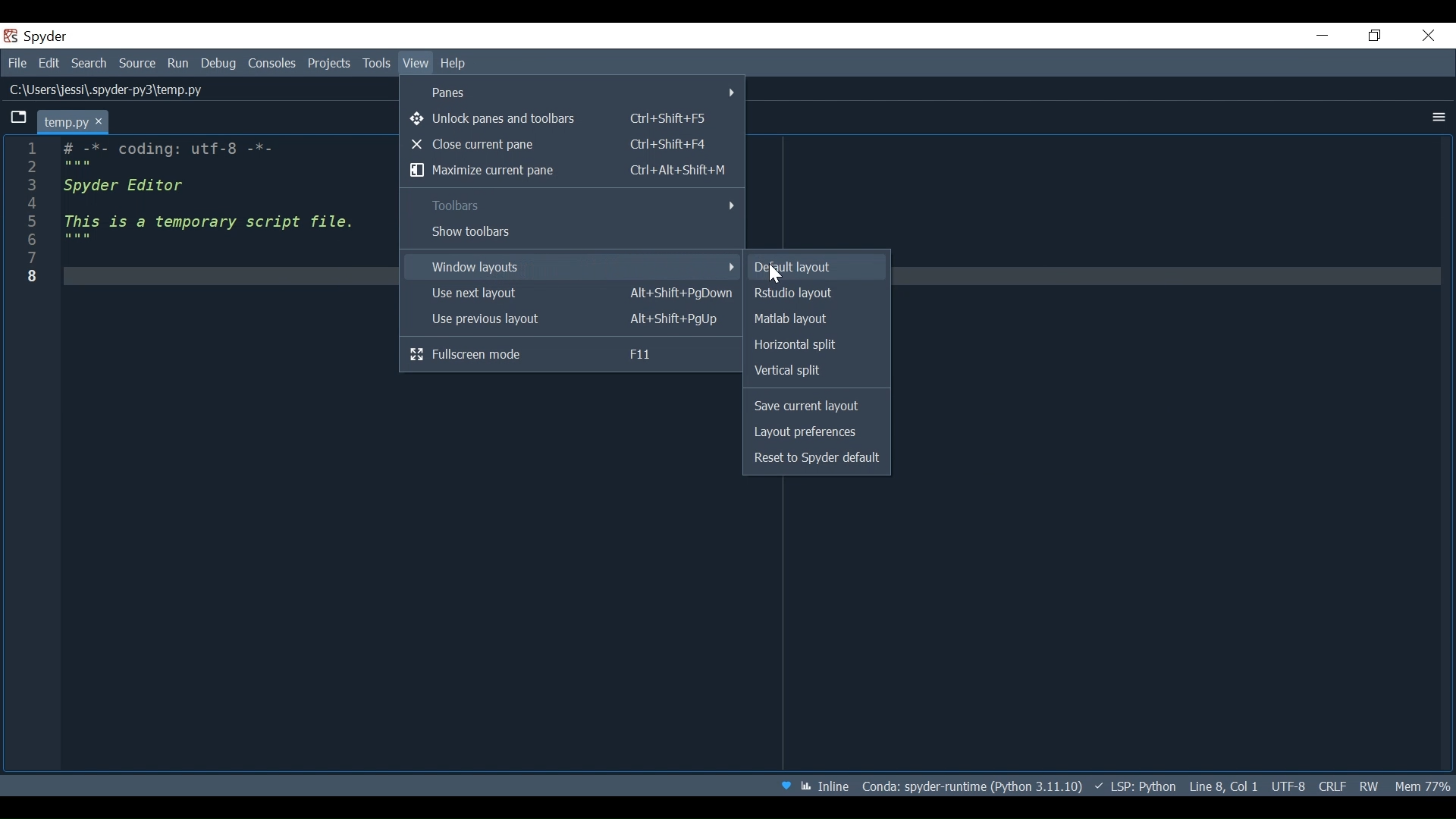 Image resolution: width=1456 pixels, height=819 pixels. I want to click on Debug, so click(219, 64).